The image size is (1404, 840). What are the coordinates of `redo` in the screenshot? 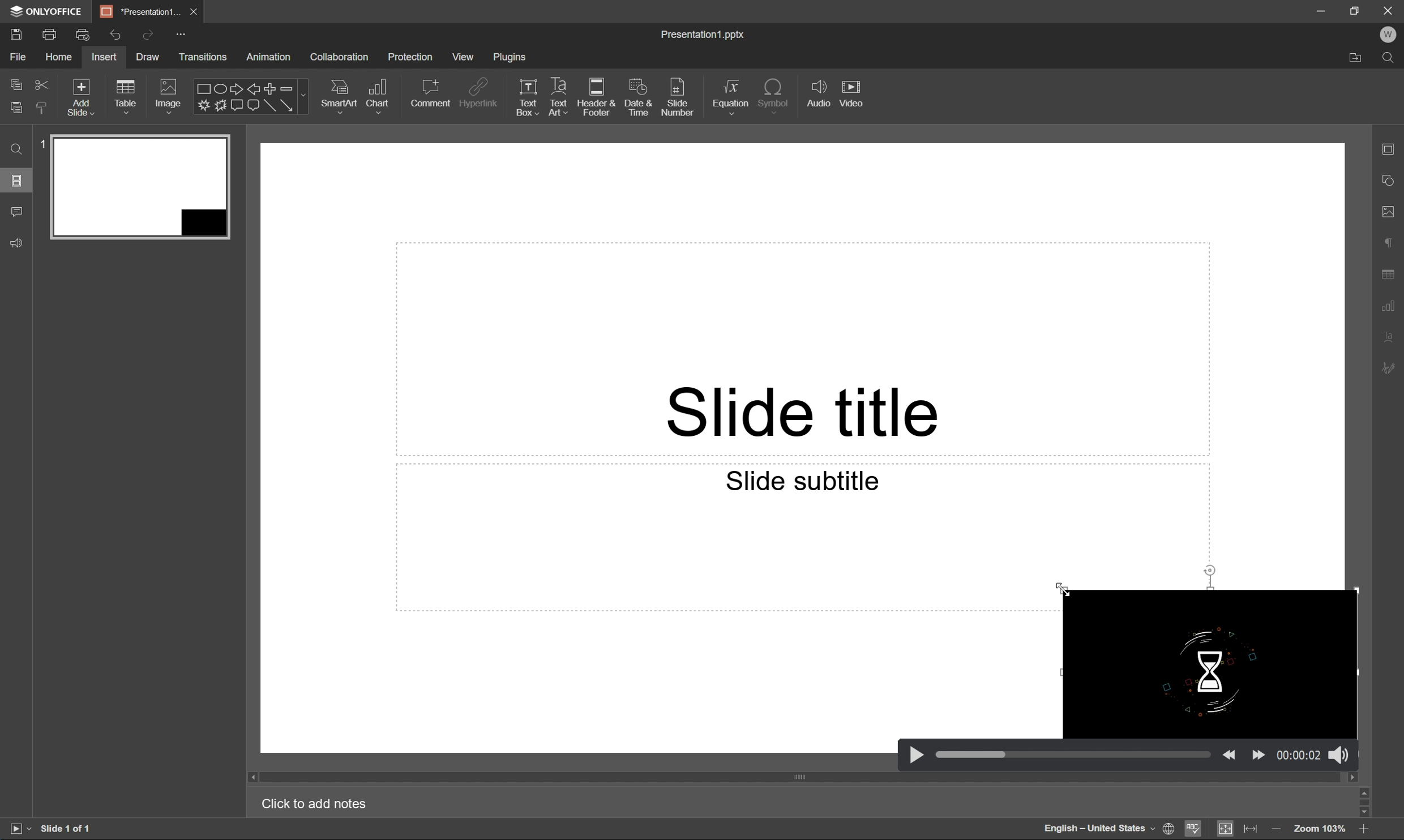 It's located at (148, 35).